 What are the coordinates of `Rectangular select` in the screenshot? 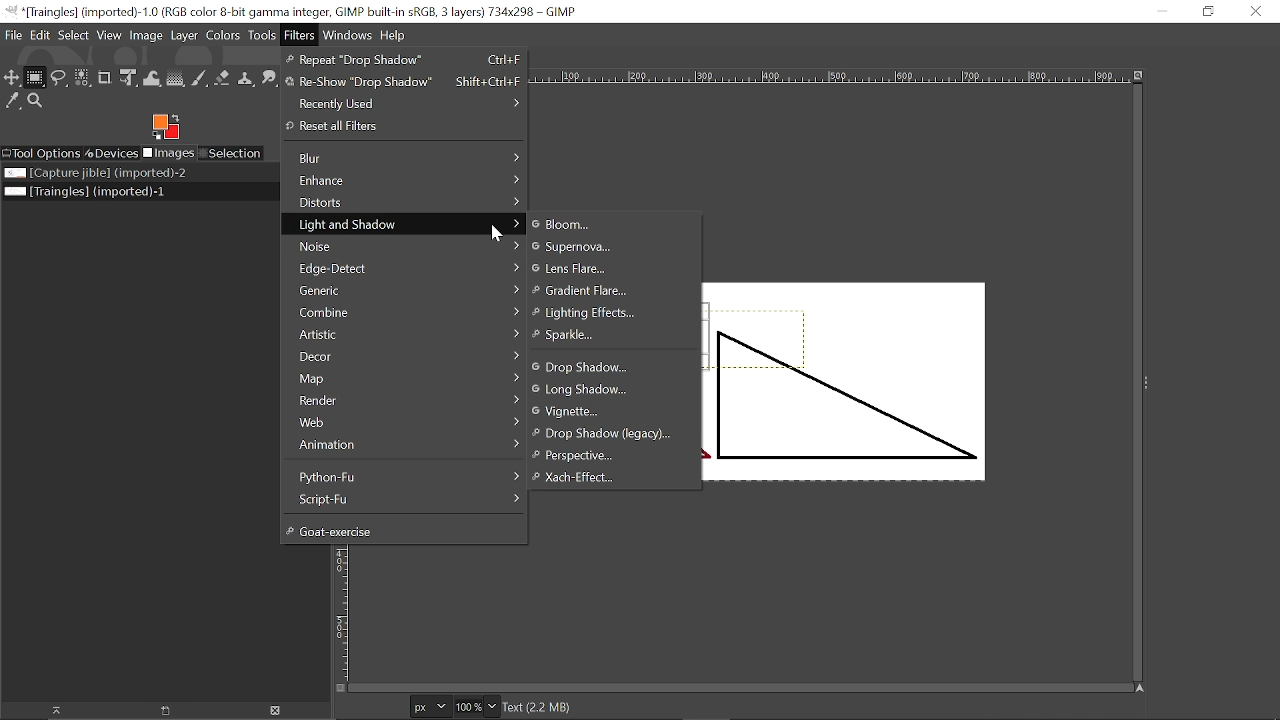 It's located at (36, 77).